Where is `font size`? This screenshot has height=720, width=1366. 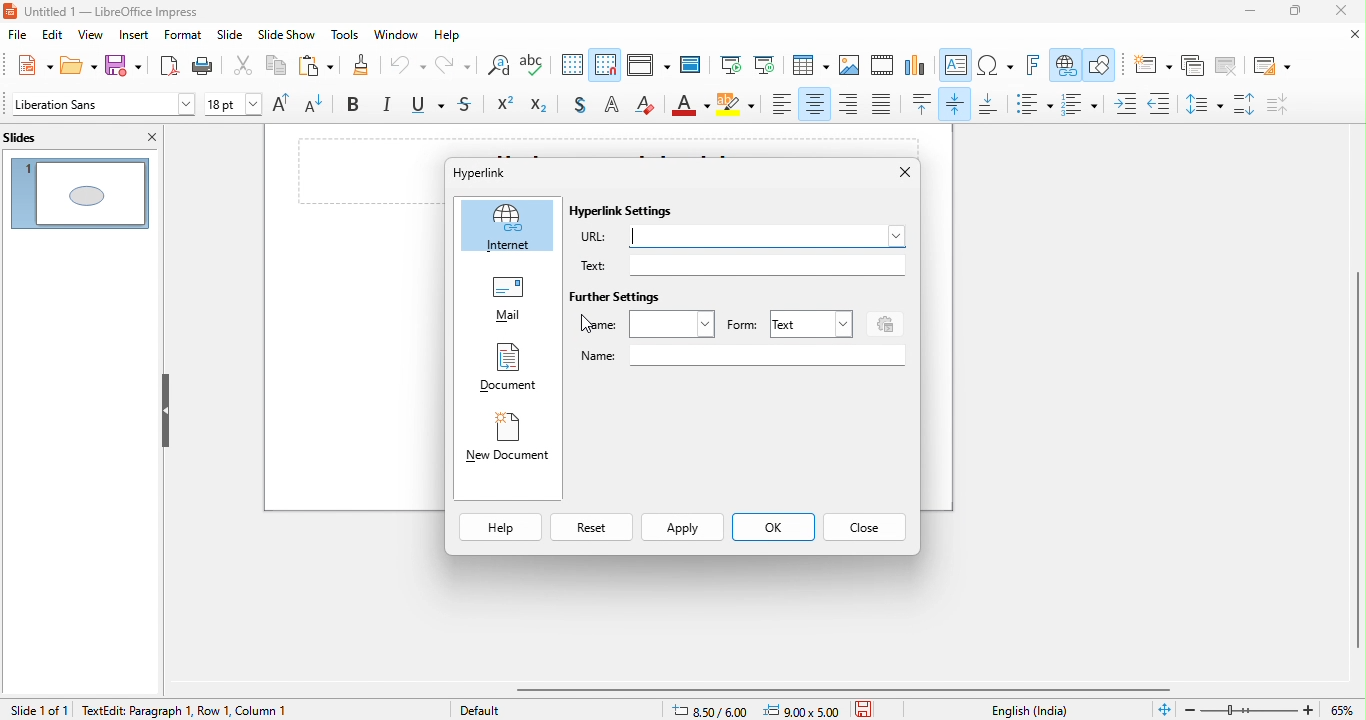
font size is located at coordinates (234, 106).